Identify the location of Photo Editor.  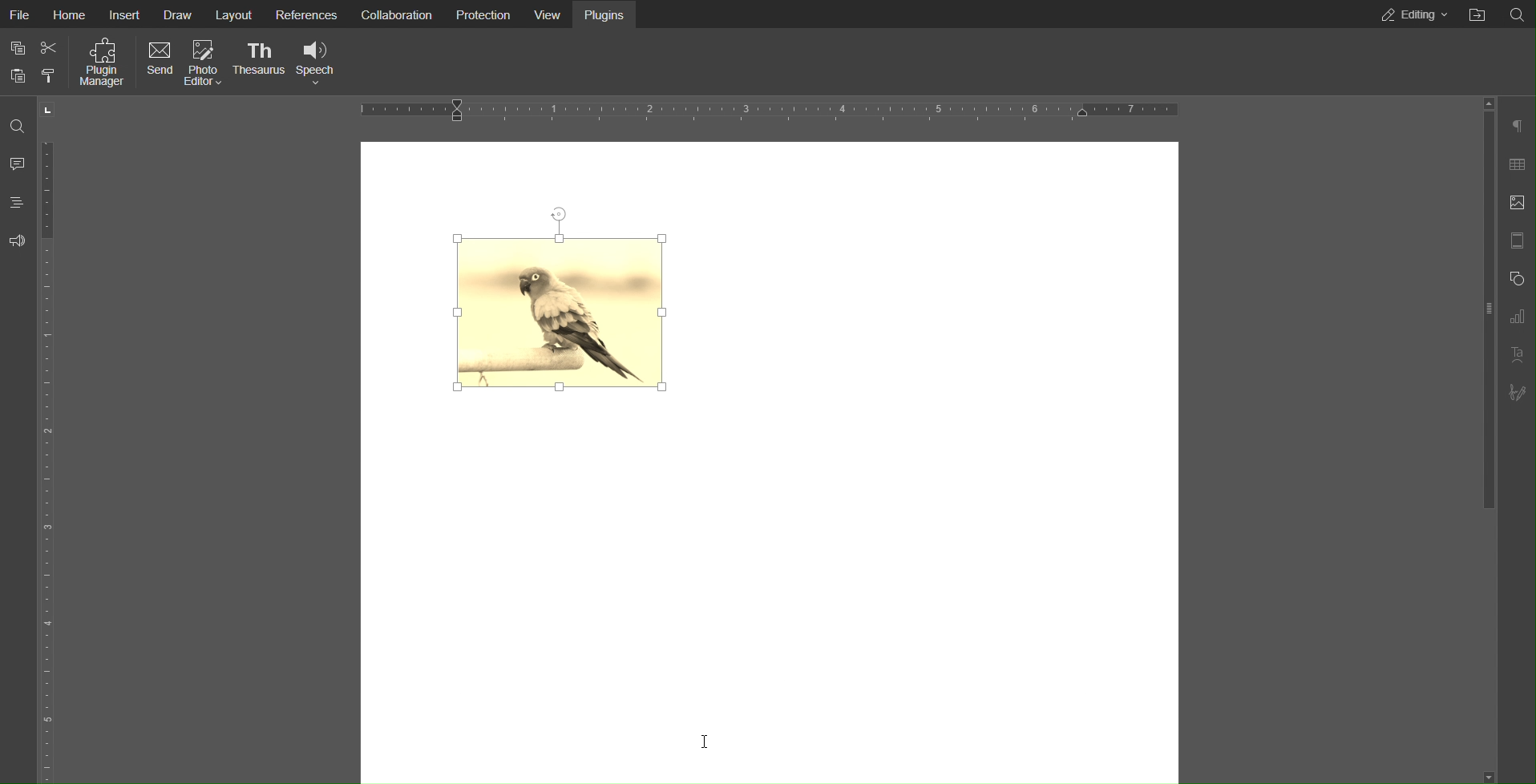
(199, 63).